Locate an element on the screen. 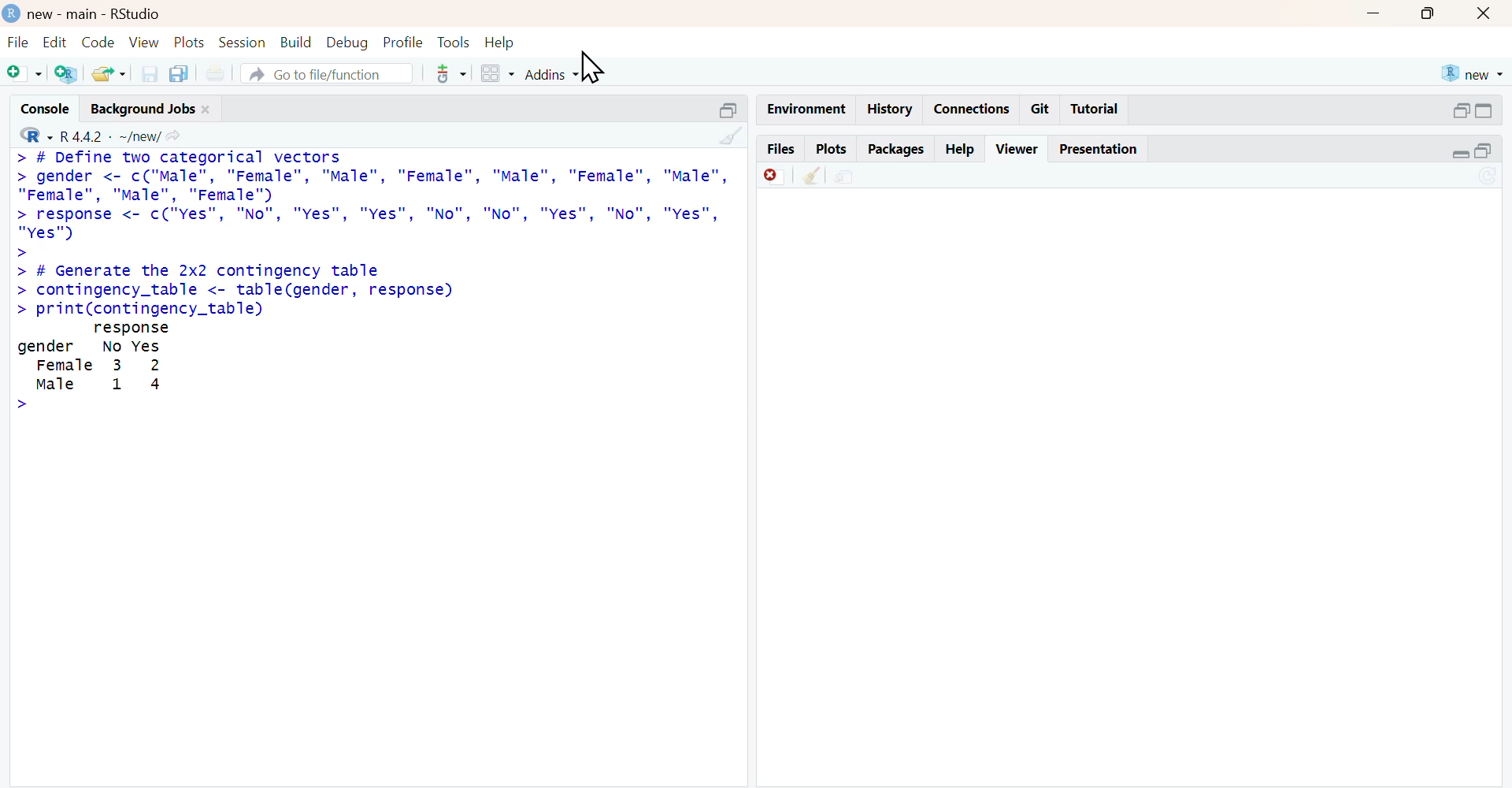  share is located at coordinates (846, 178).